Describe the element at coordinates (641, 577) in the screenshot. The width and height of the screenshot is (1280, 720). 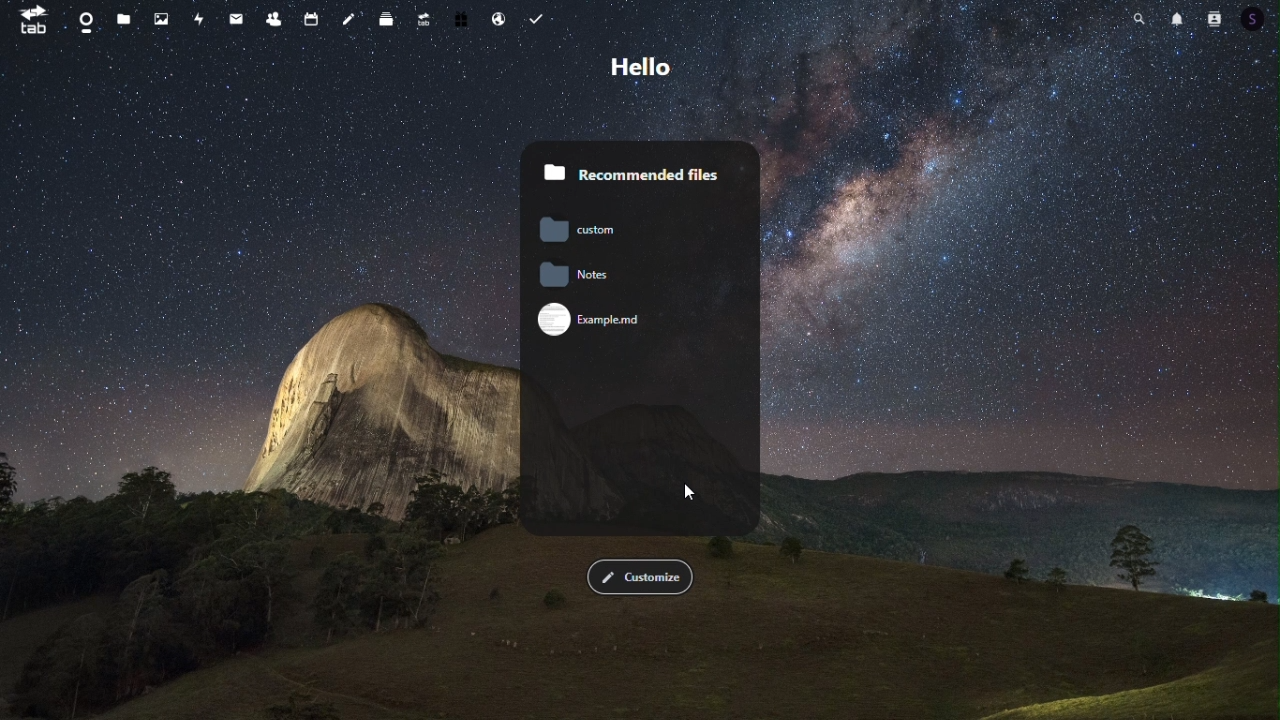
I see `Customize` at that location.